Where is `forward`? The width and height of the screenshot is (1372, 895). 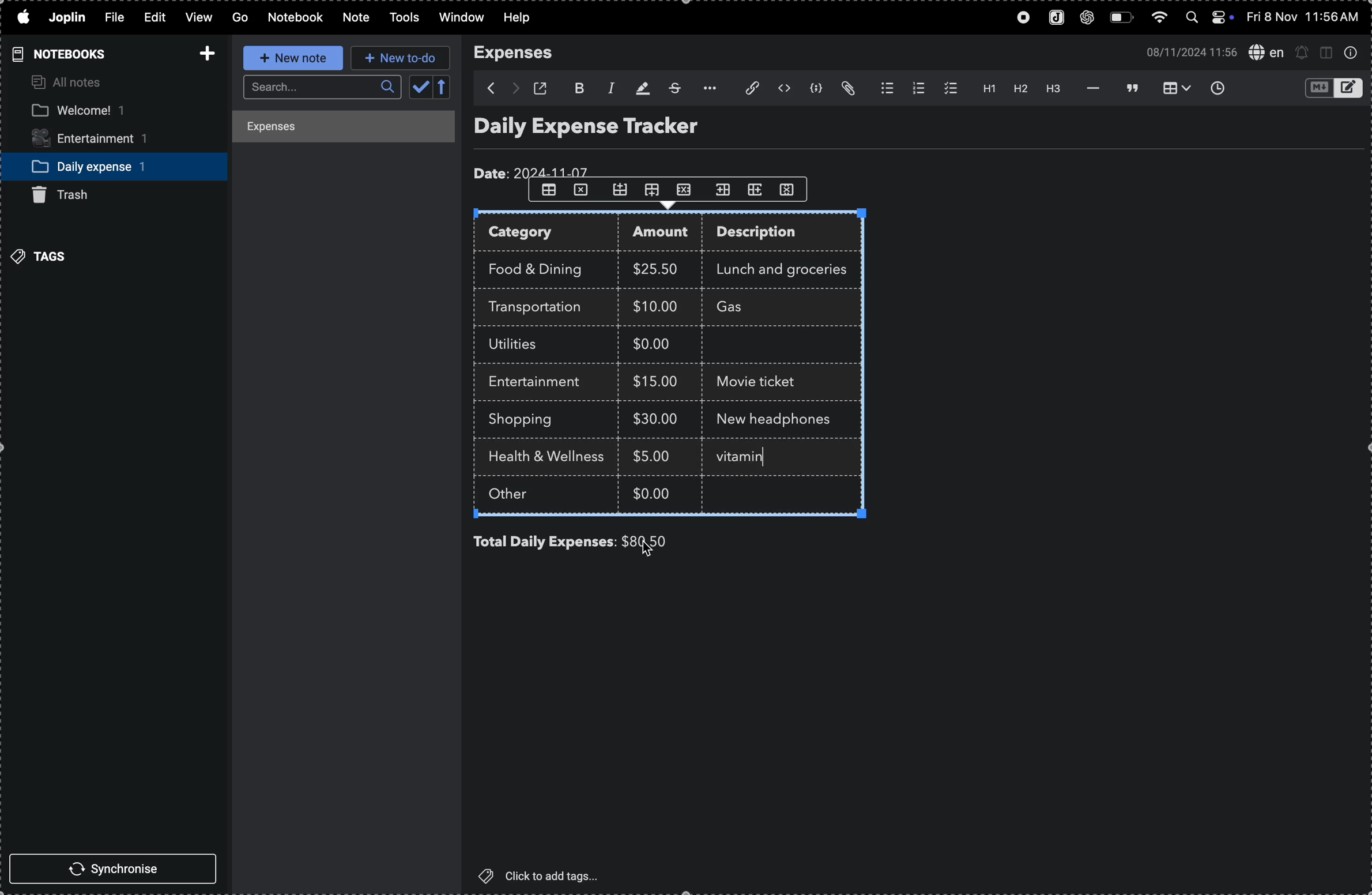
forward is located at coordinates (514, 89).